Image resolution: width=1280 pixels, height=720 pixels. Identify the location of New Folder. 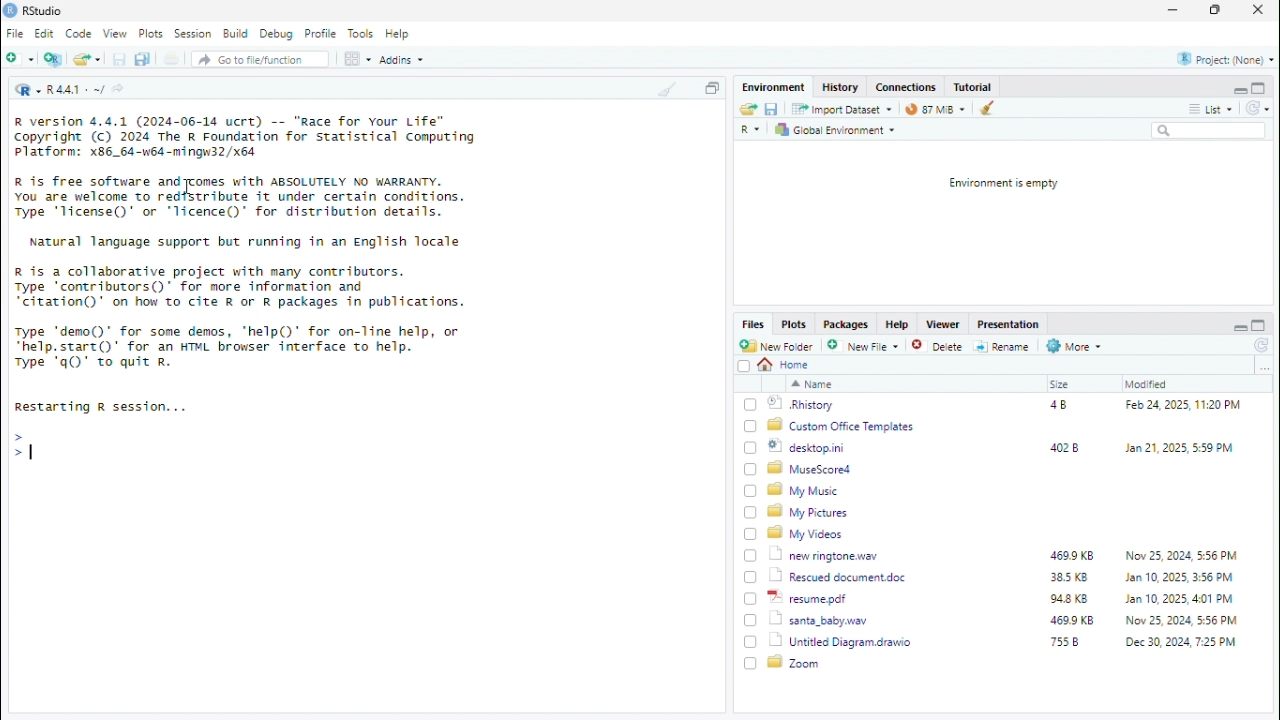
(778, 346).